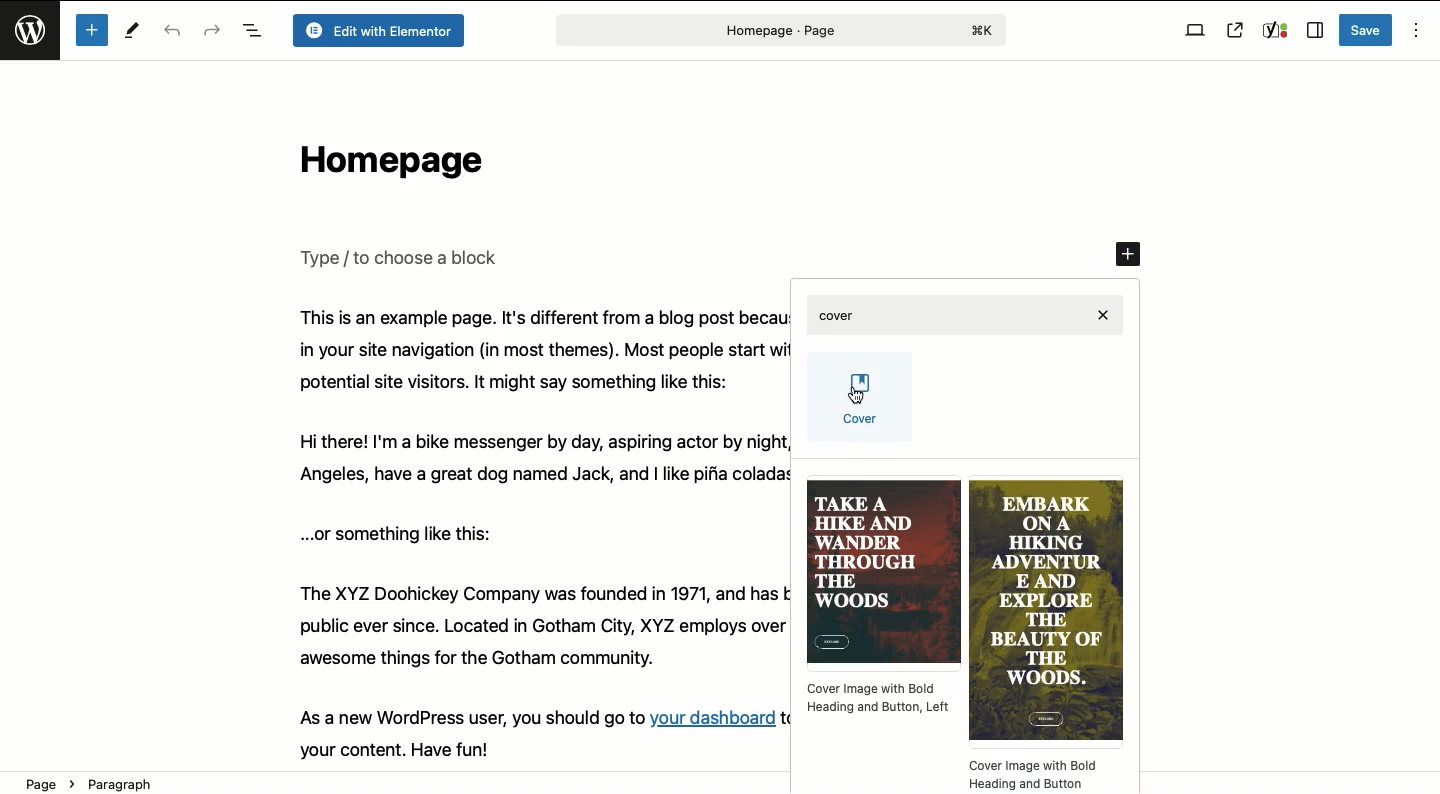 The image size is (1440, 794). Describe the element at coordinates (535, 461) in the screenshot. I see `Hi there! I'm a bike messenger by day, aspiring actor by night, and this is my website. | live in Los
Angeles, have a great dog named Jack, and | like pifia coladas. (And gettin’ caught in the rain.)` at that location.